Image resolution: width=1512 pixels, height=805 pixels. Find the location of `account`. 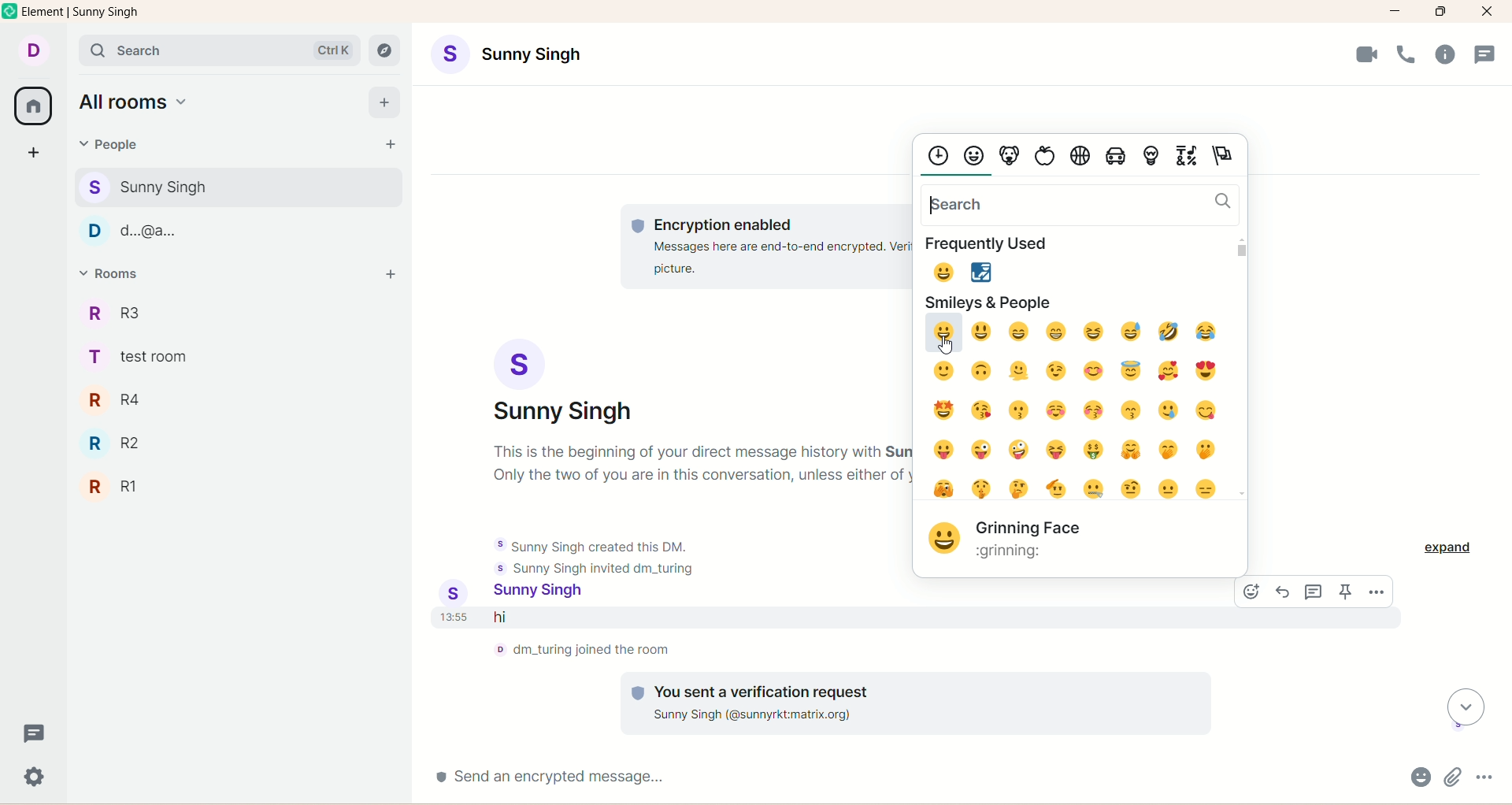

account is located at coordinates (506, 54).